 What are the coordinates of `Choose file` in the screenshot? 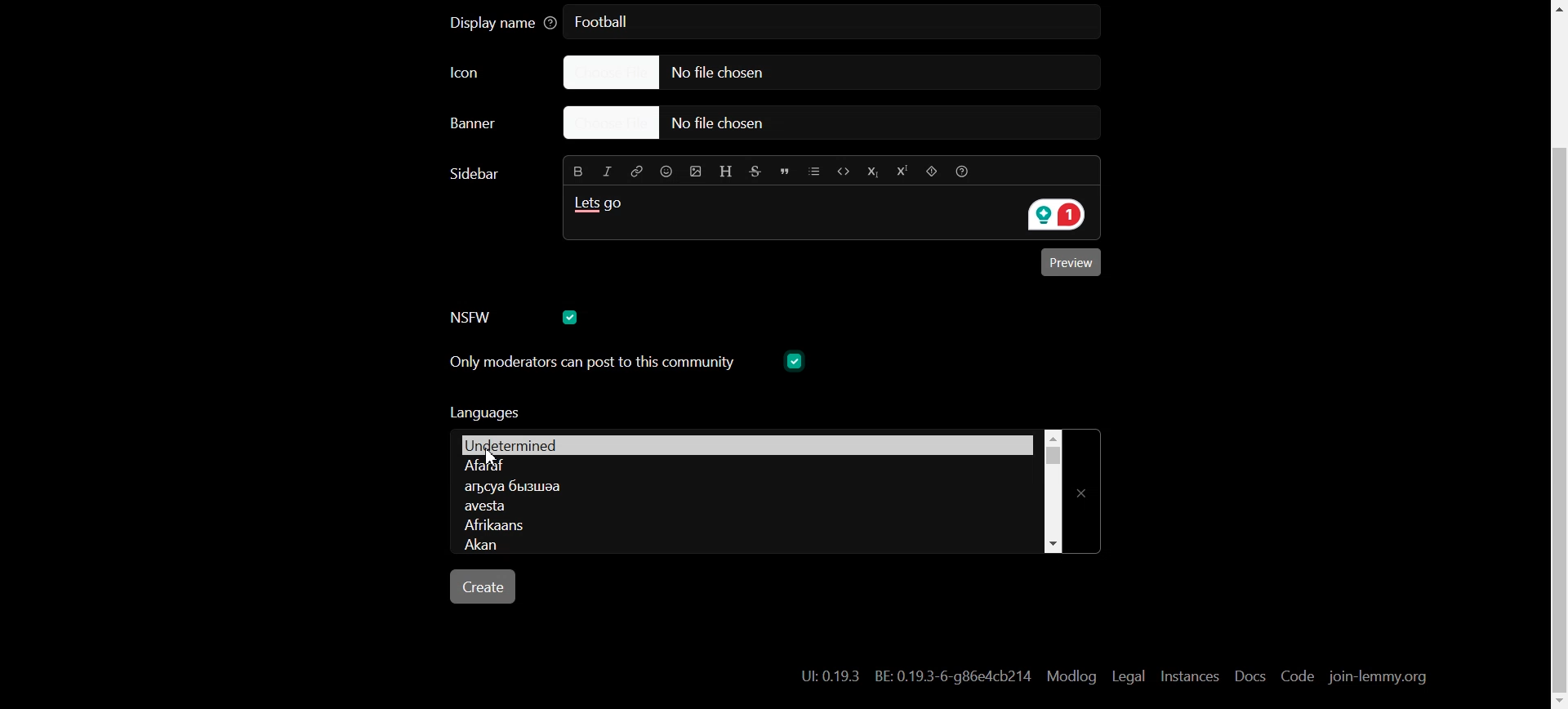 It's located at (813, 72).